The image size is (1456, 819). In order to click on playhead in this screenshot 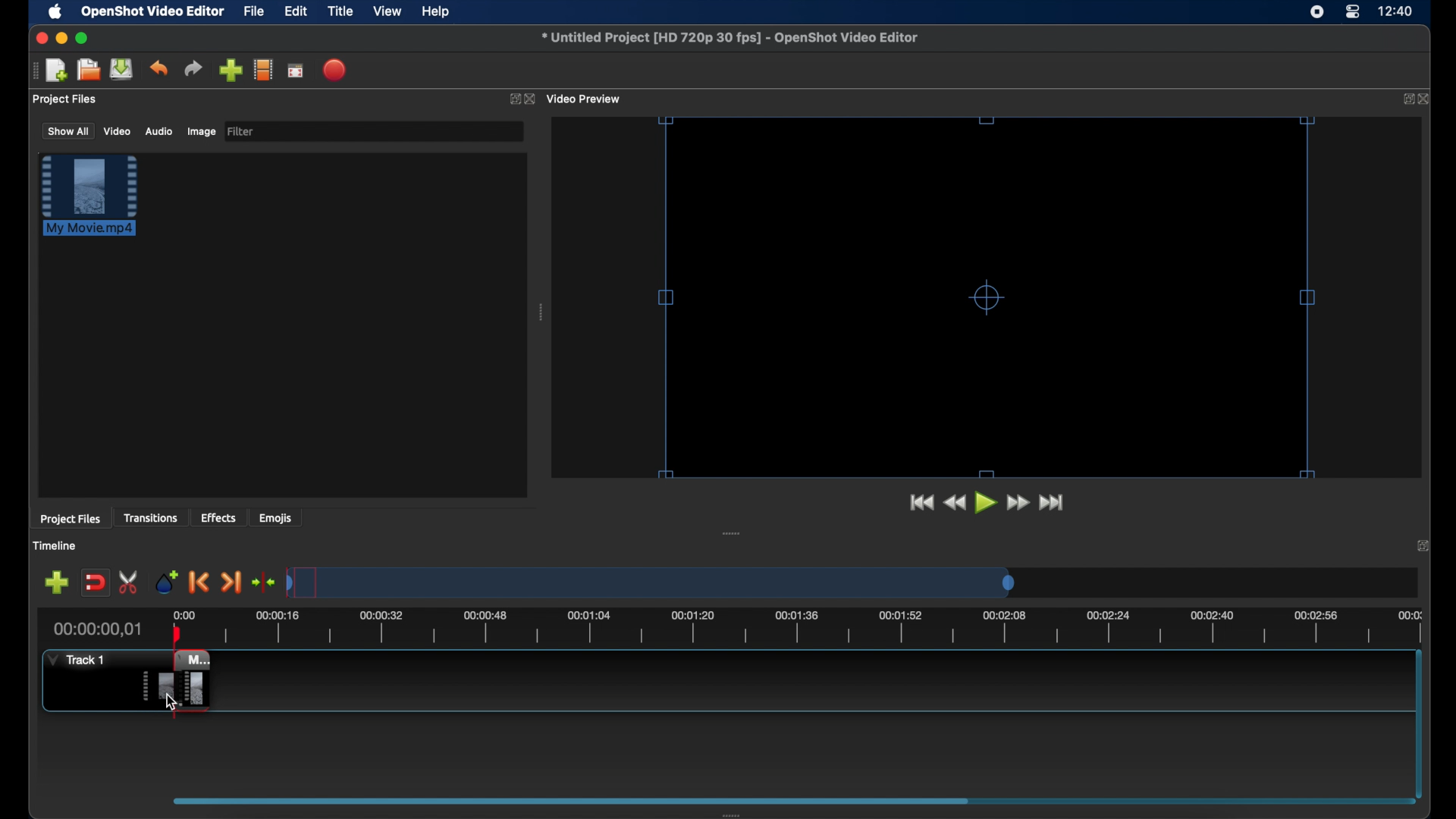, I will do `click(176, 631)`.